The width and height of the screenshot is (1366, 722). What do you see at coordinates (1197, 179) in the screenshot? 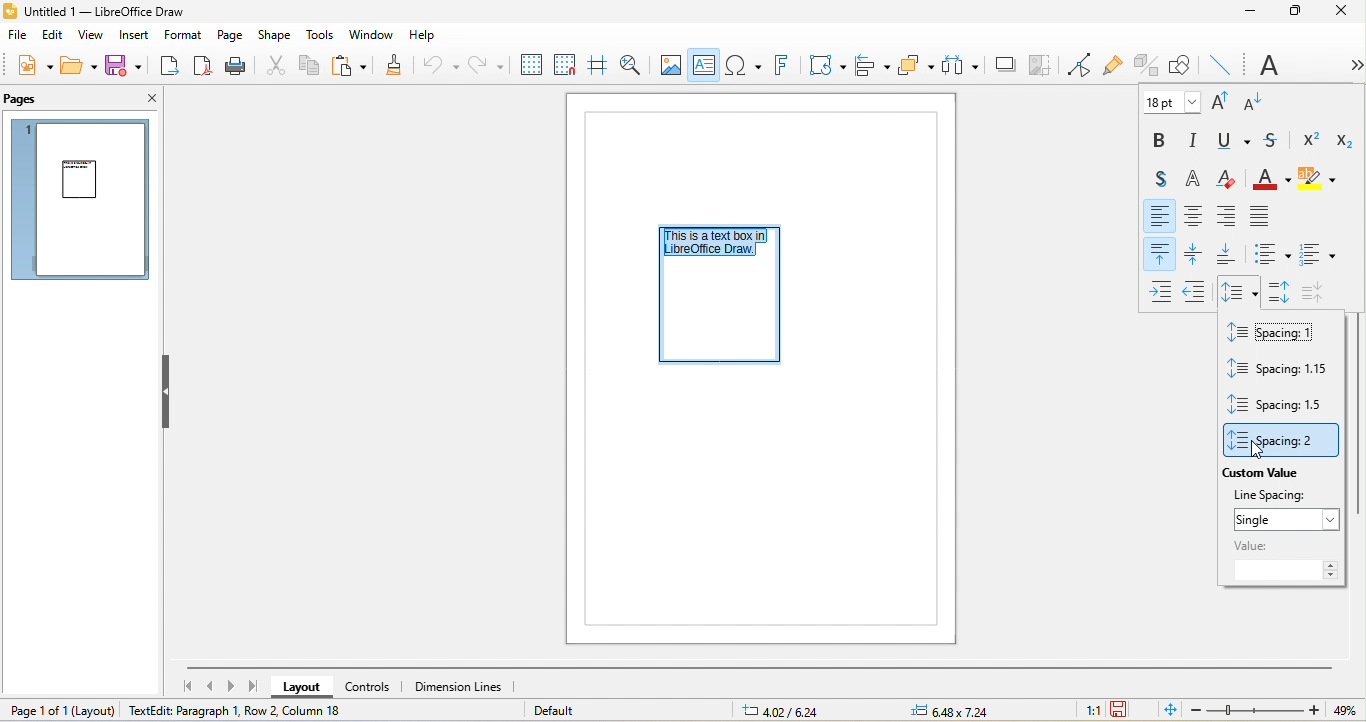
I see `apply outline` at bounding box center [1197, 179].